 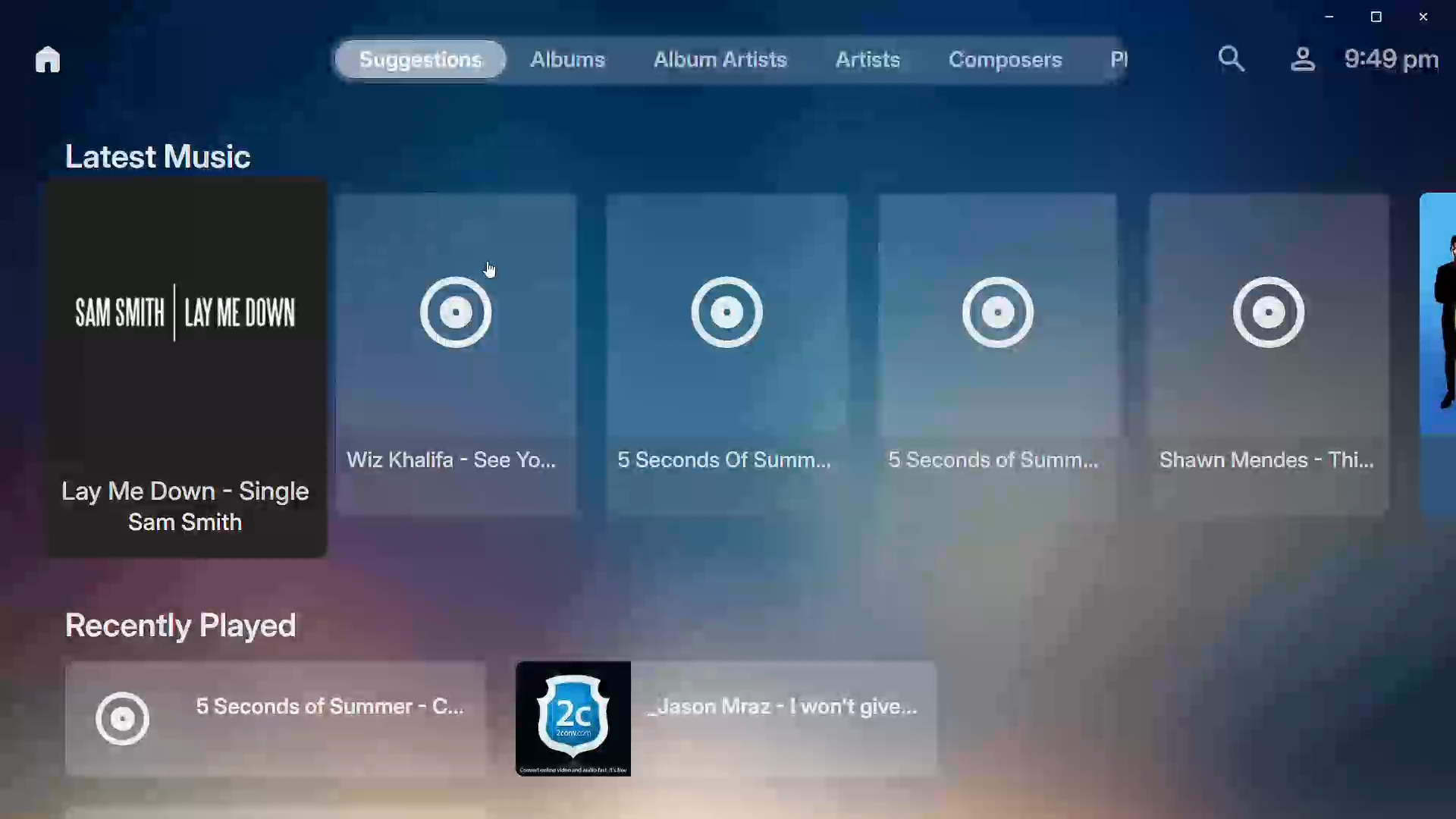 I want to click on Home, so click(x=37, y=59).